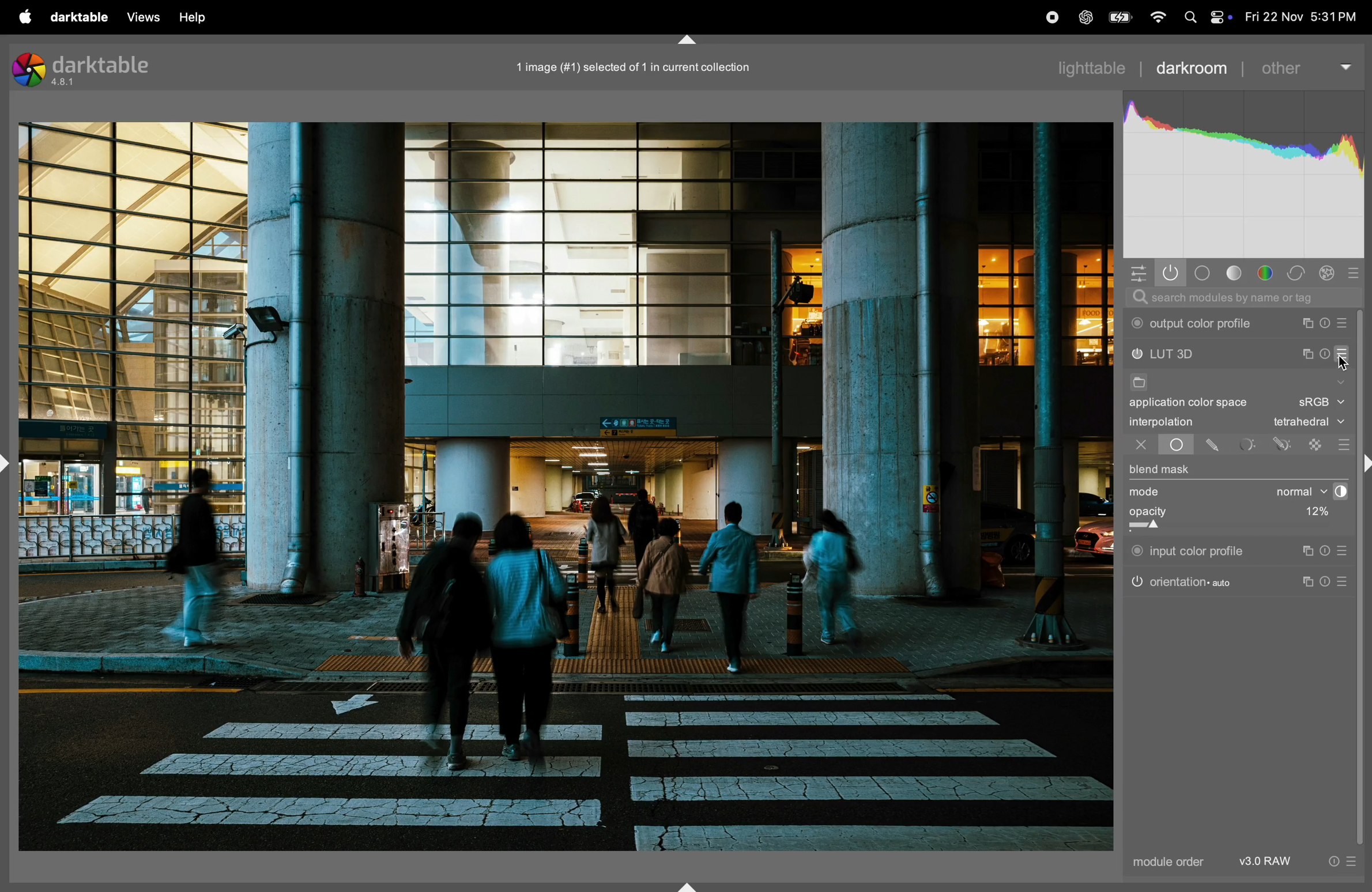 The image size is (1372, 892). Describe the element at coordinates (1299, 273) in the screenshot. I see `correct` at that location.